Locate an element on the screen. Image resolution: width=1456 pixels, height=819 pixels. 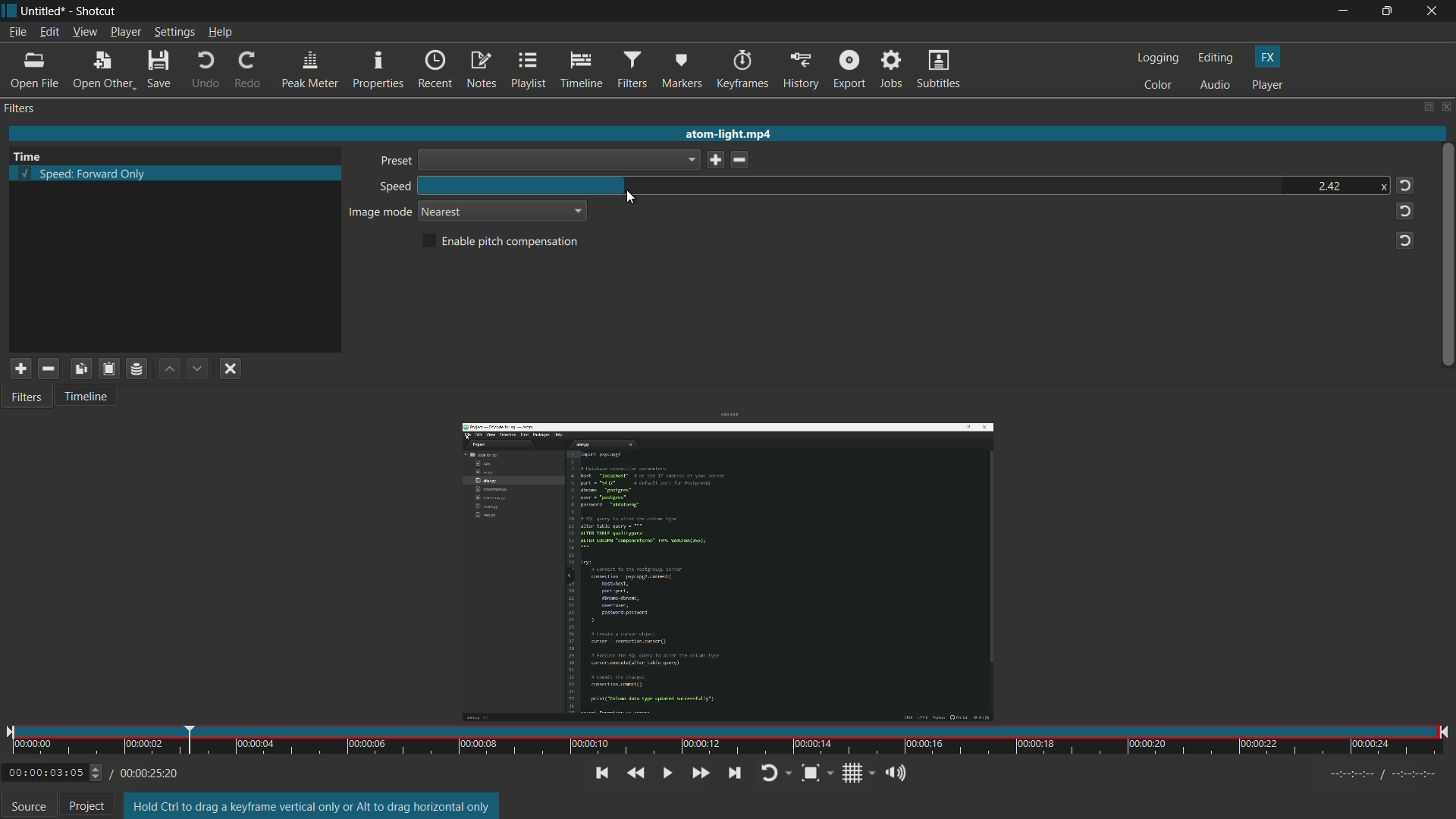
playlist is located at coordinates (530, 71).